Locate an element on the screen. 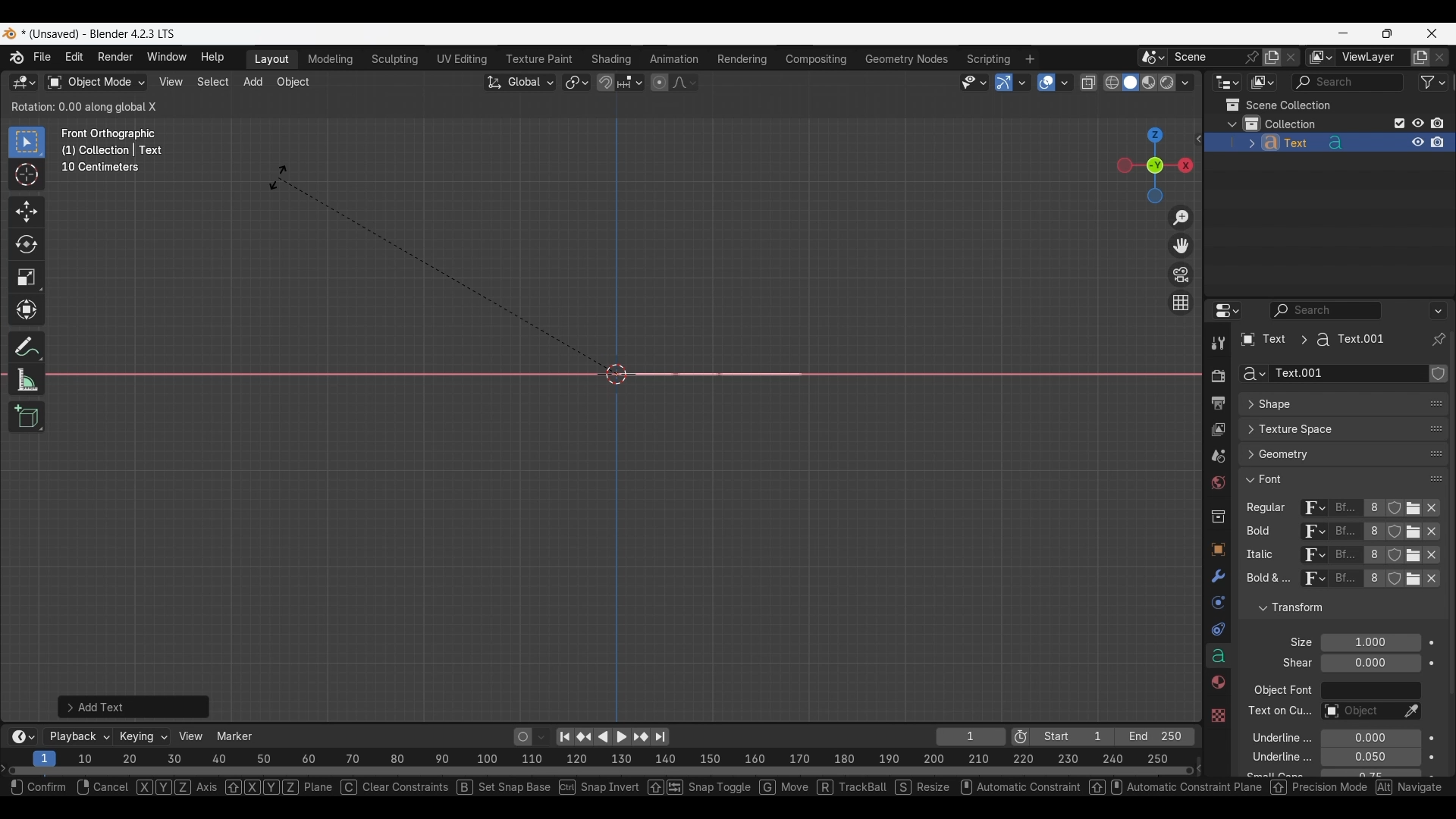 This screenshot has width=1456, height=819. Click to expand Geometry is located at coordinates (1328, 454).